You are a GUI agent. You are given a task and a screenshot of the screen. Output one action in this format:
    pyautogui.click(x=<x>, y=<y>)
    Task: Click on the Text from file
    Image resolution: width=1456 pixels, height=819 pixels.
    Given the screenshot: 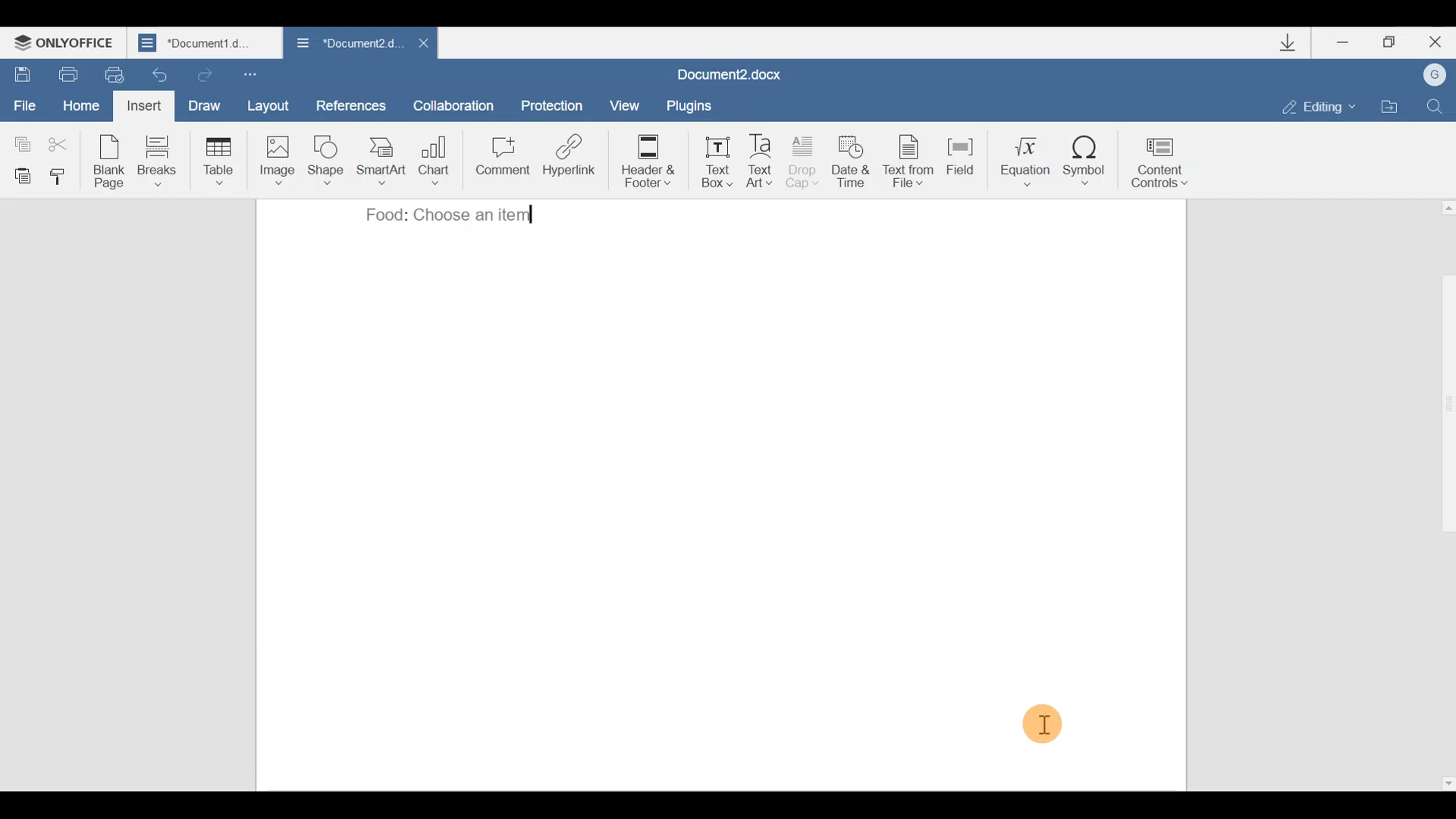 What is the action you would take?
    pyautogui.click(x=904, y=158)
    